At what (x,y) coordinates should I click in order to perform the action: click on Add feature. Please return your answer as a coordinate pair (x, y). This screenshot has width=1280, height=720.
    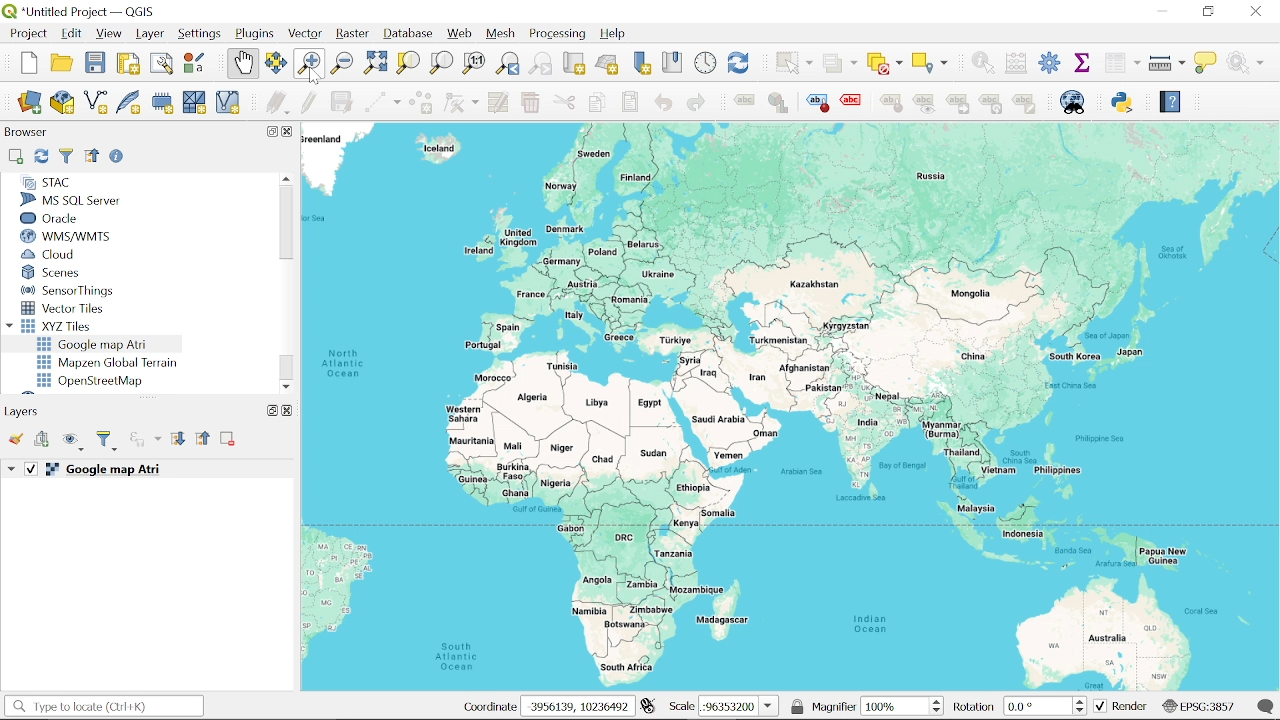
    Looking at the image, I should click on (420, 104).